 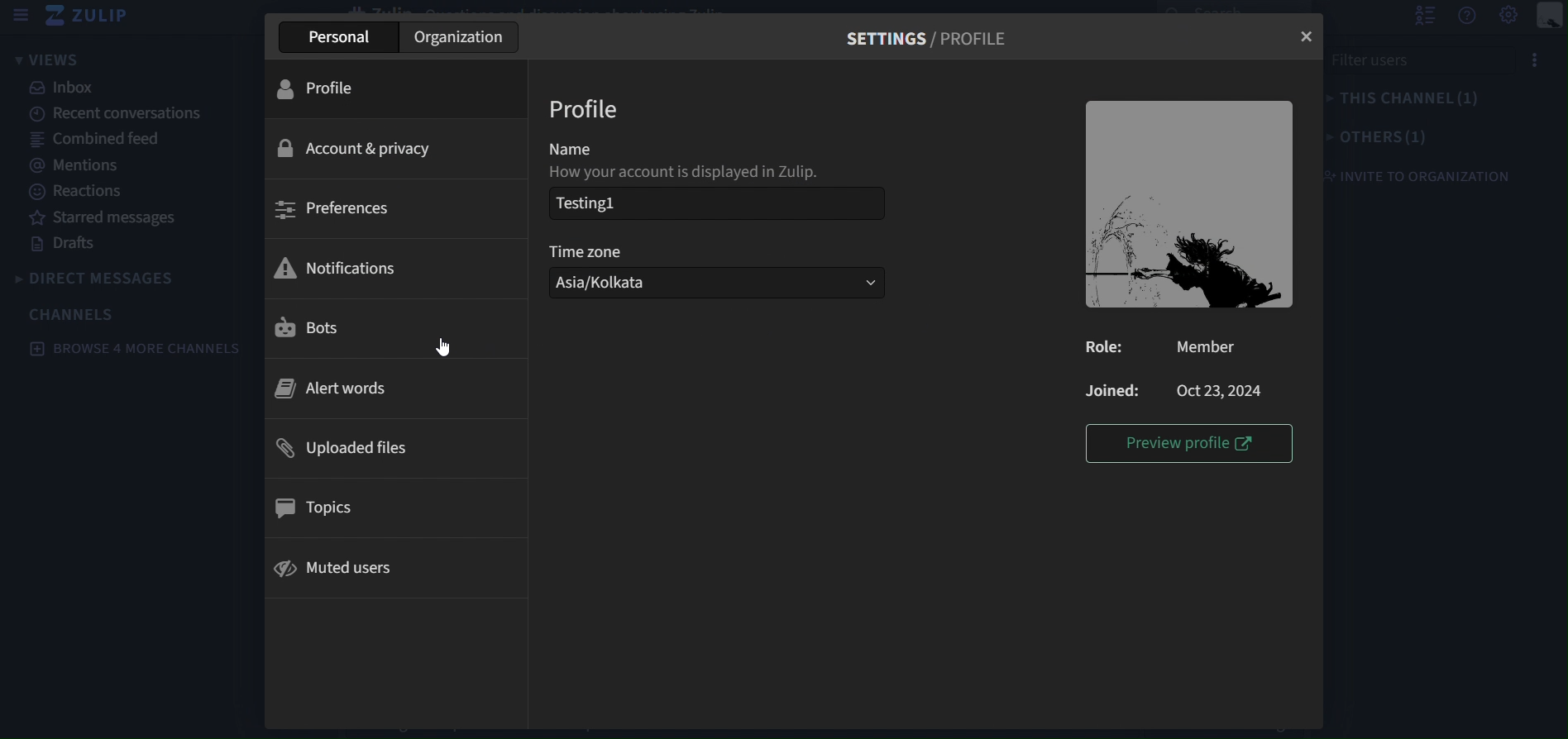 What do you see at coordinates (100, 279) in the screenshot?
I see `direct messages` at bounding box center [100, 279].